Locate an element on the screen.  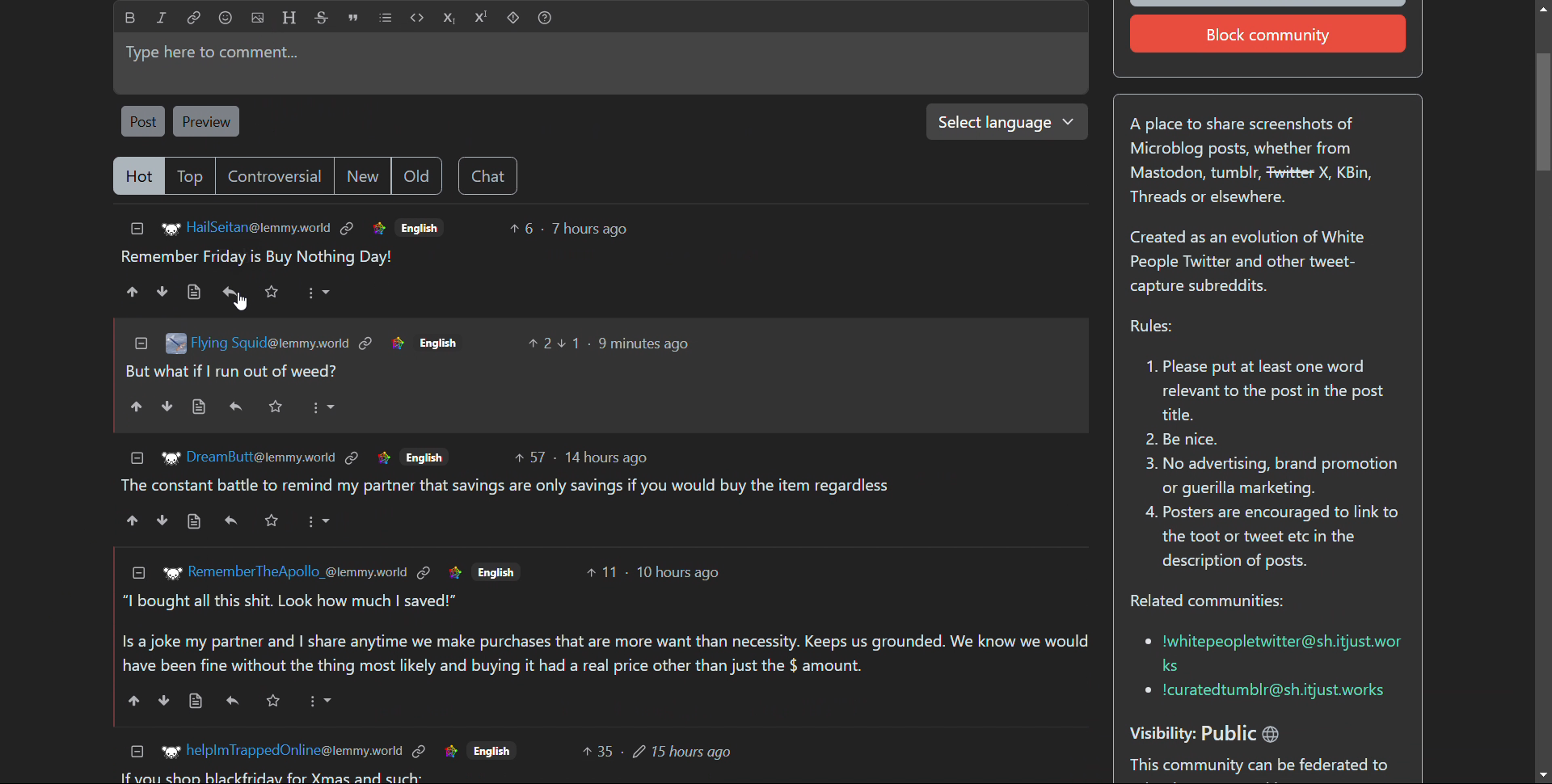
time of posting is located at coordinates (678, 573).